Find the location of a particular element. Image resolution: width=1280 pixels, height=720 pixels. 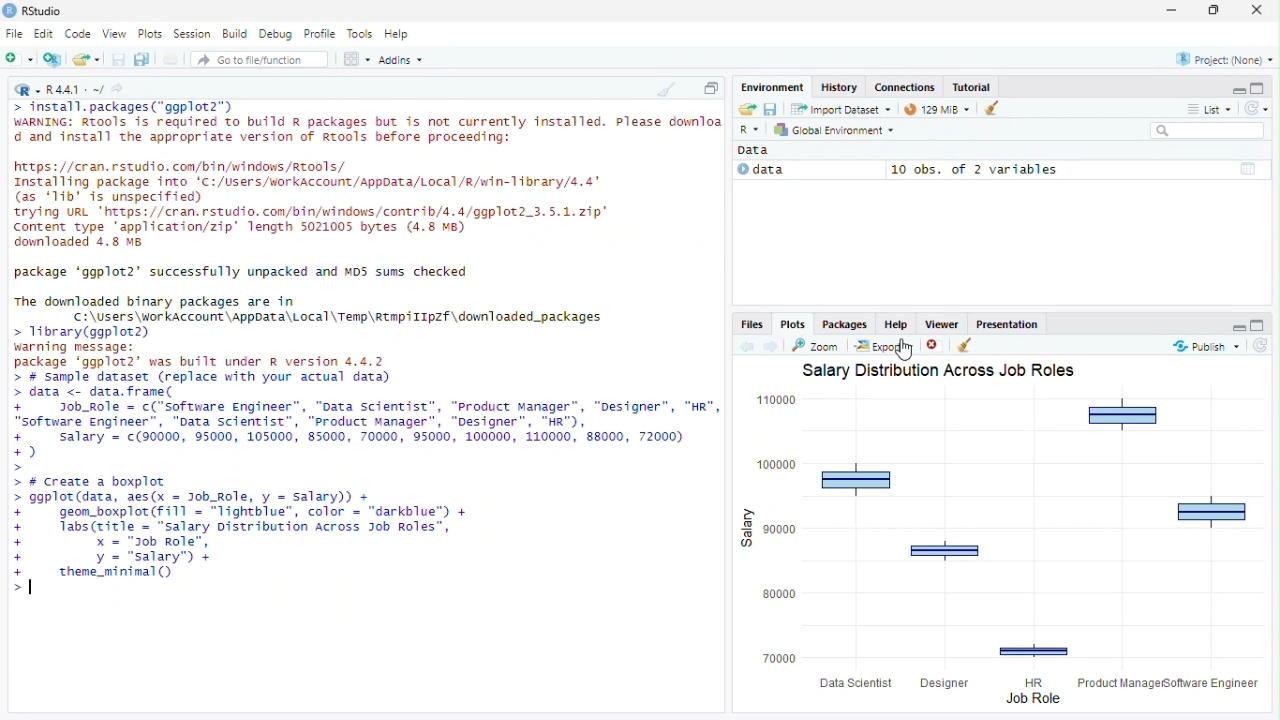

Edit is located at coordinates (43, 35).